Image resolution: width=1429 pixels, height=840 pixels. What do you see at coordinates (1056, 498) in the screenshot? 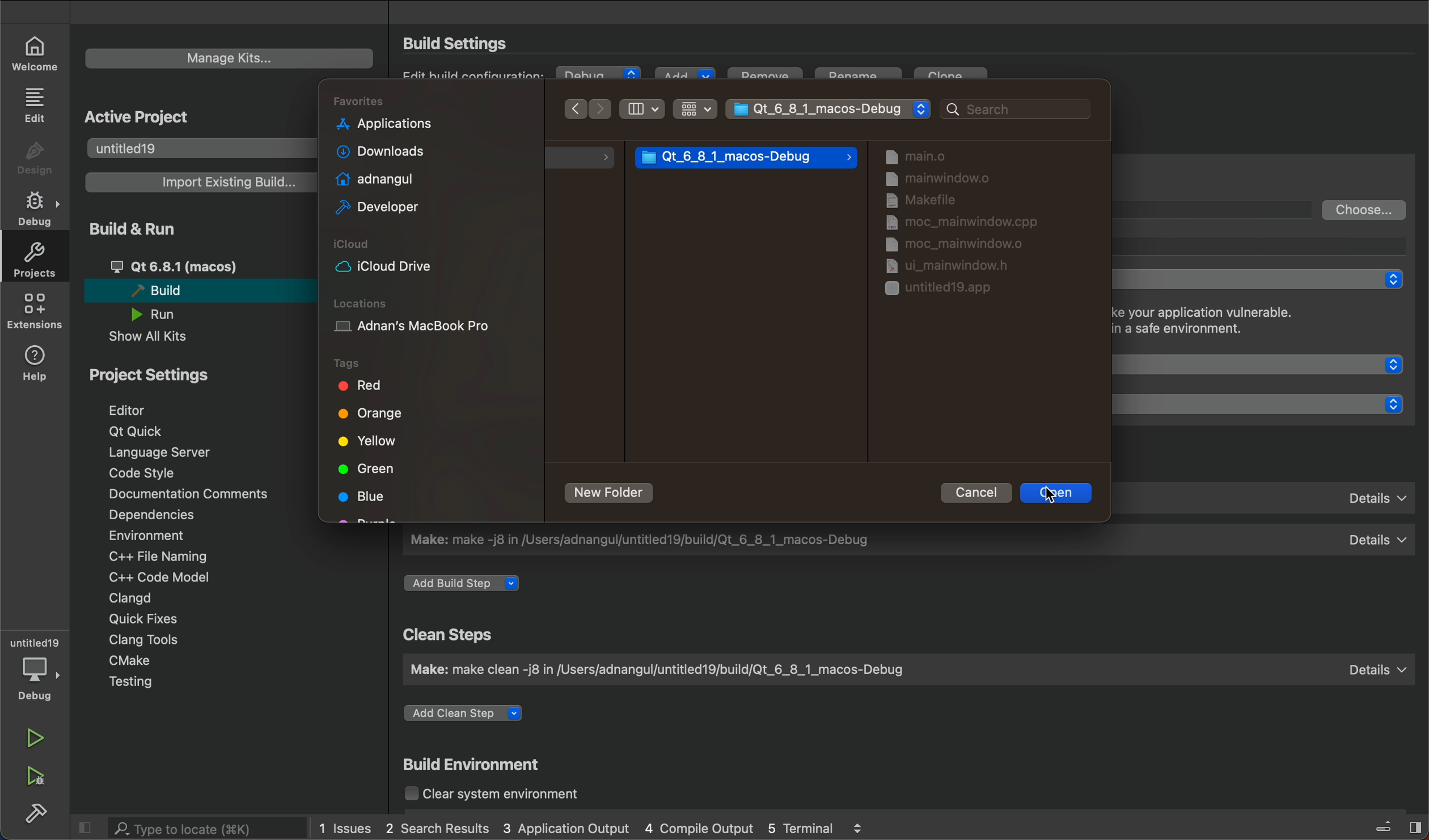
I see `cursor` at bounding box center [1056, 498].